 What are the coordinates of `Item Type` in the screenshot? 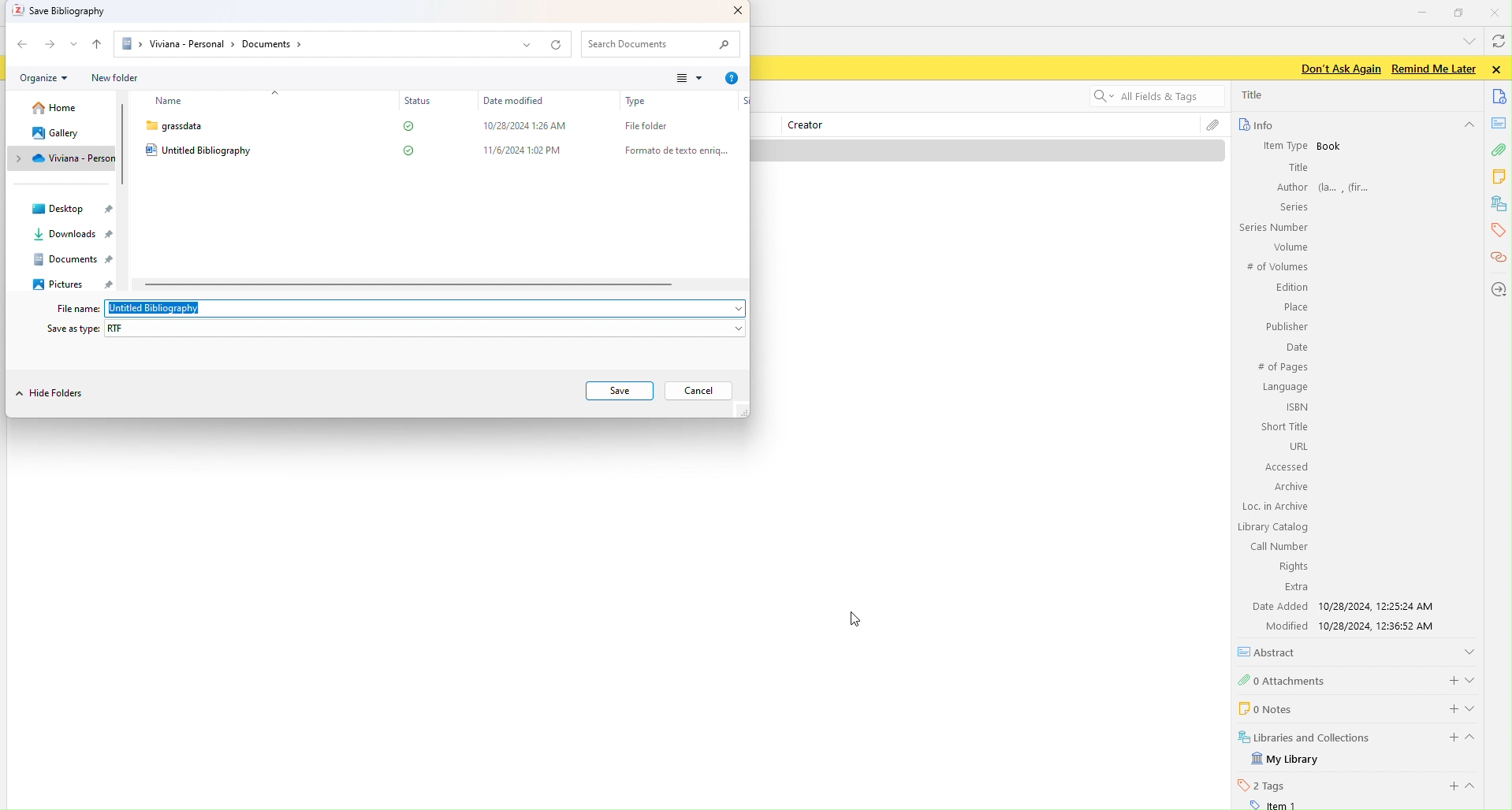 It's located at (1278, 145).